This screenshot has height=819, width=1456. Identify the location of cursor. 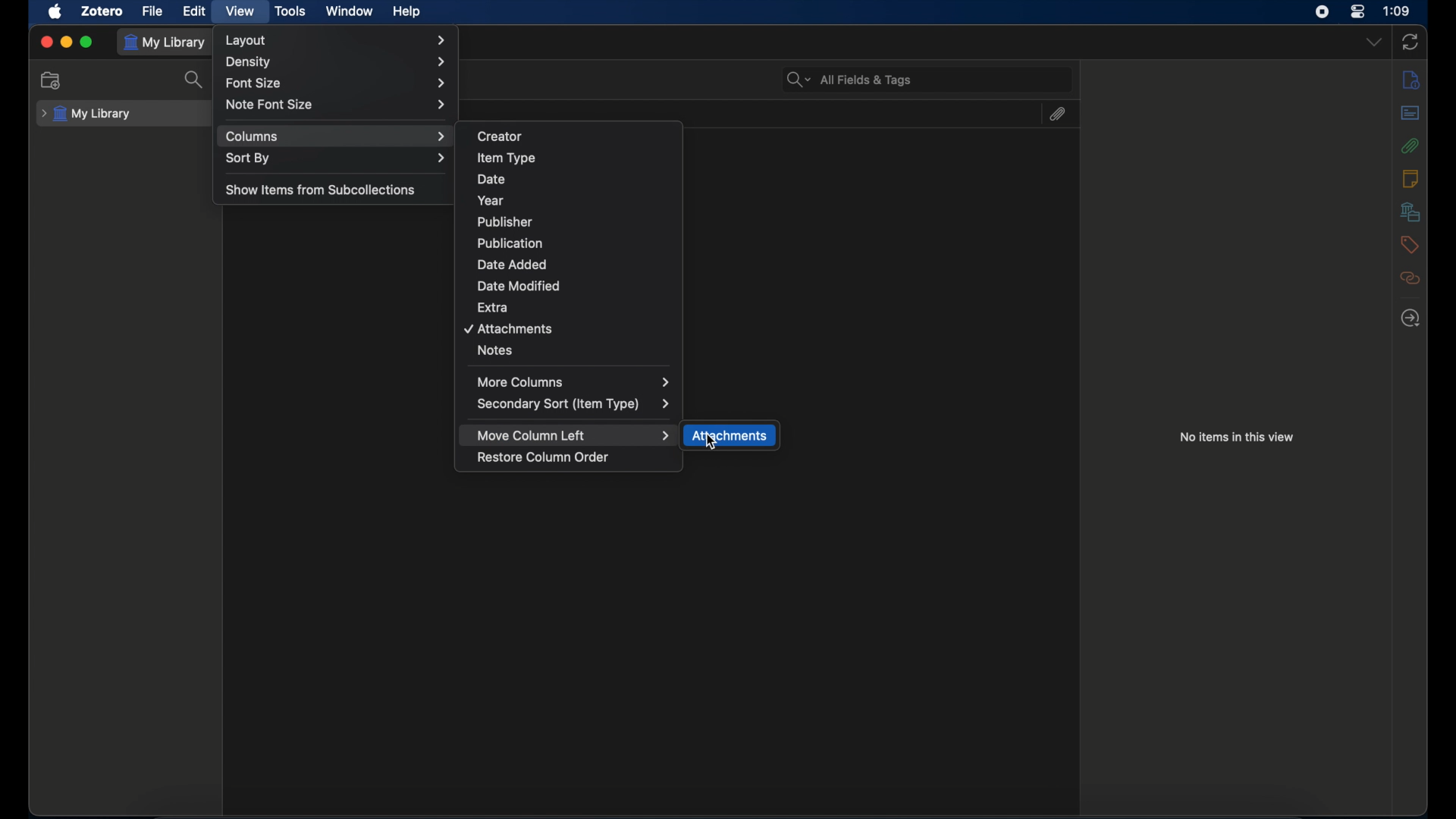
(711, 442).